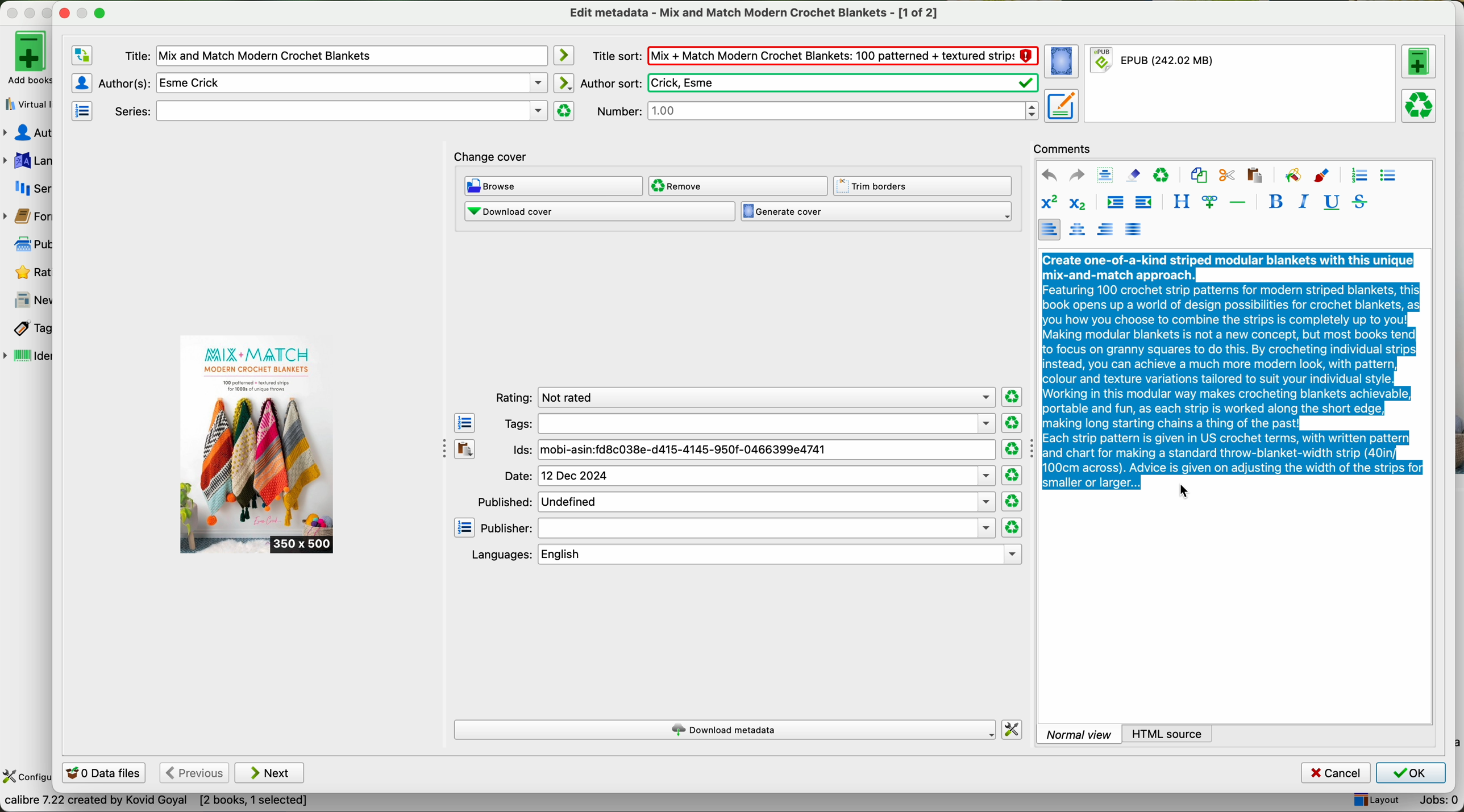 This screenshot has height=812, width=1464. Describe the element at coordinates (808, 83) in the screenshot. I see `author sort` at that location.